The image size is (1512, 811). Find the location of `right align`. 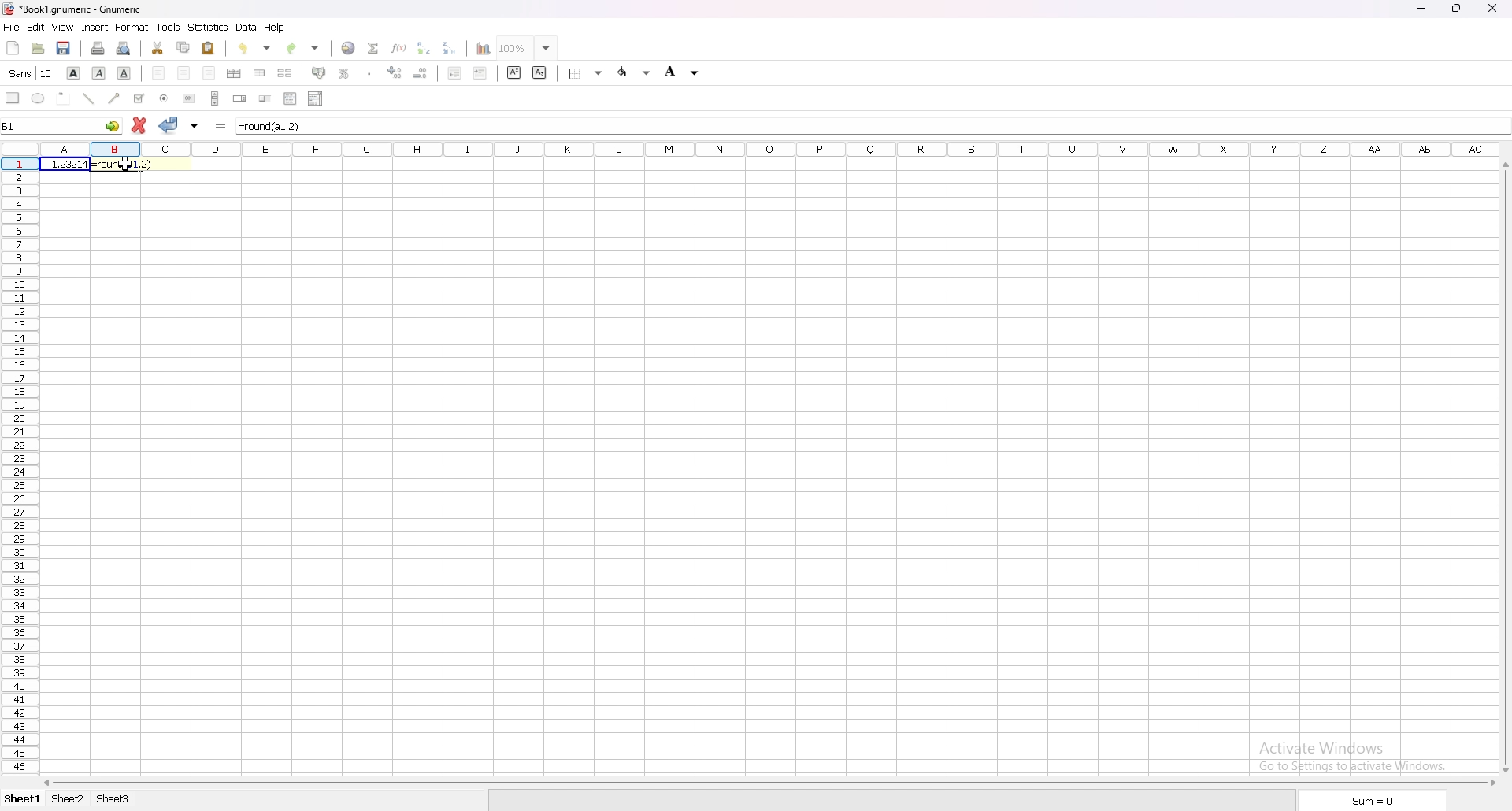

right align is located at coordinates (209, 73).